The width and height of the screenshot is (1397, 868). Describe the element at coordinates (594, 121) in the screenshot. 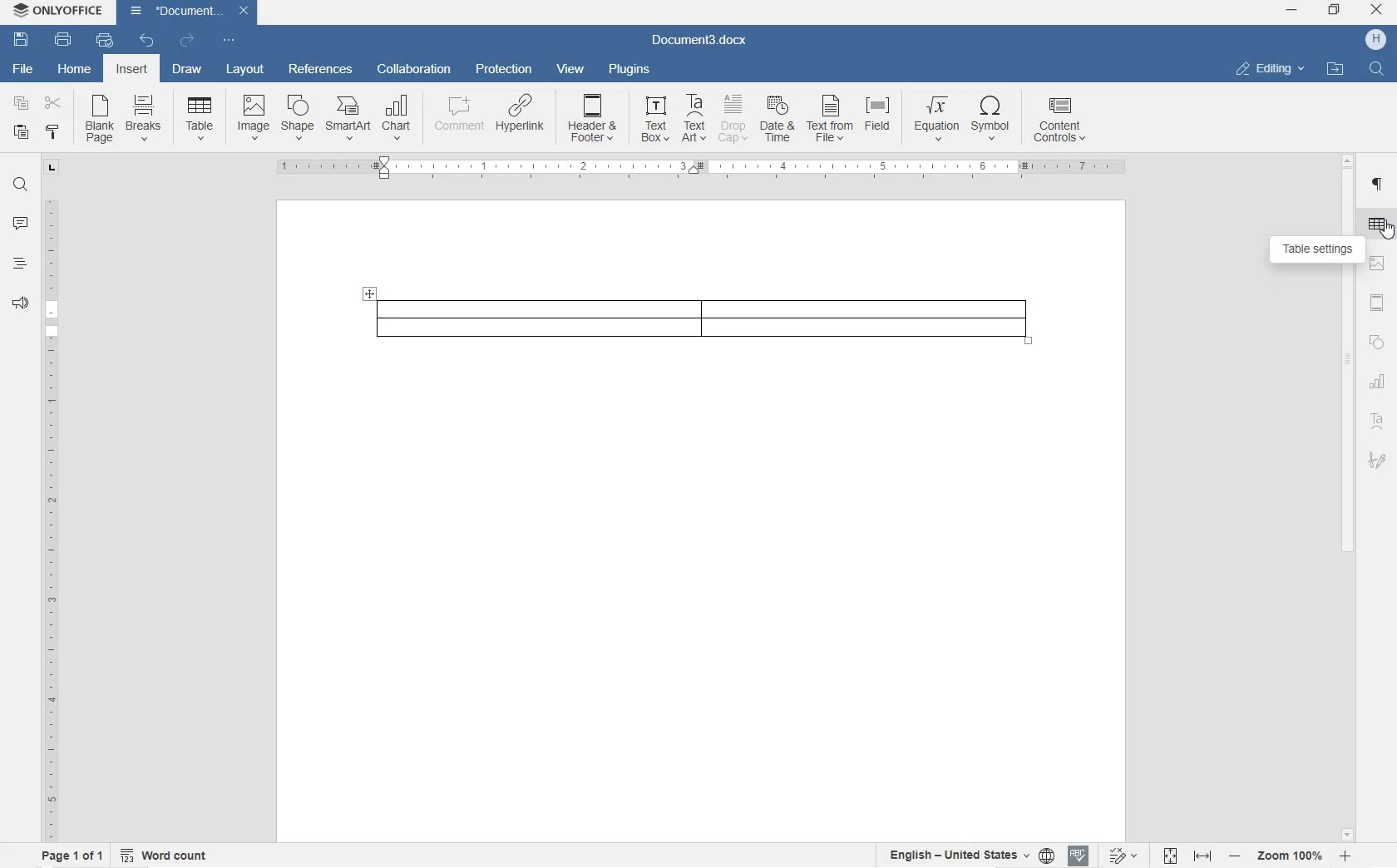

I see `Header & Footer` at that location.